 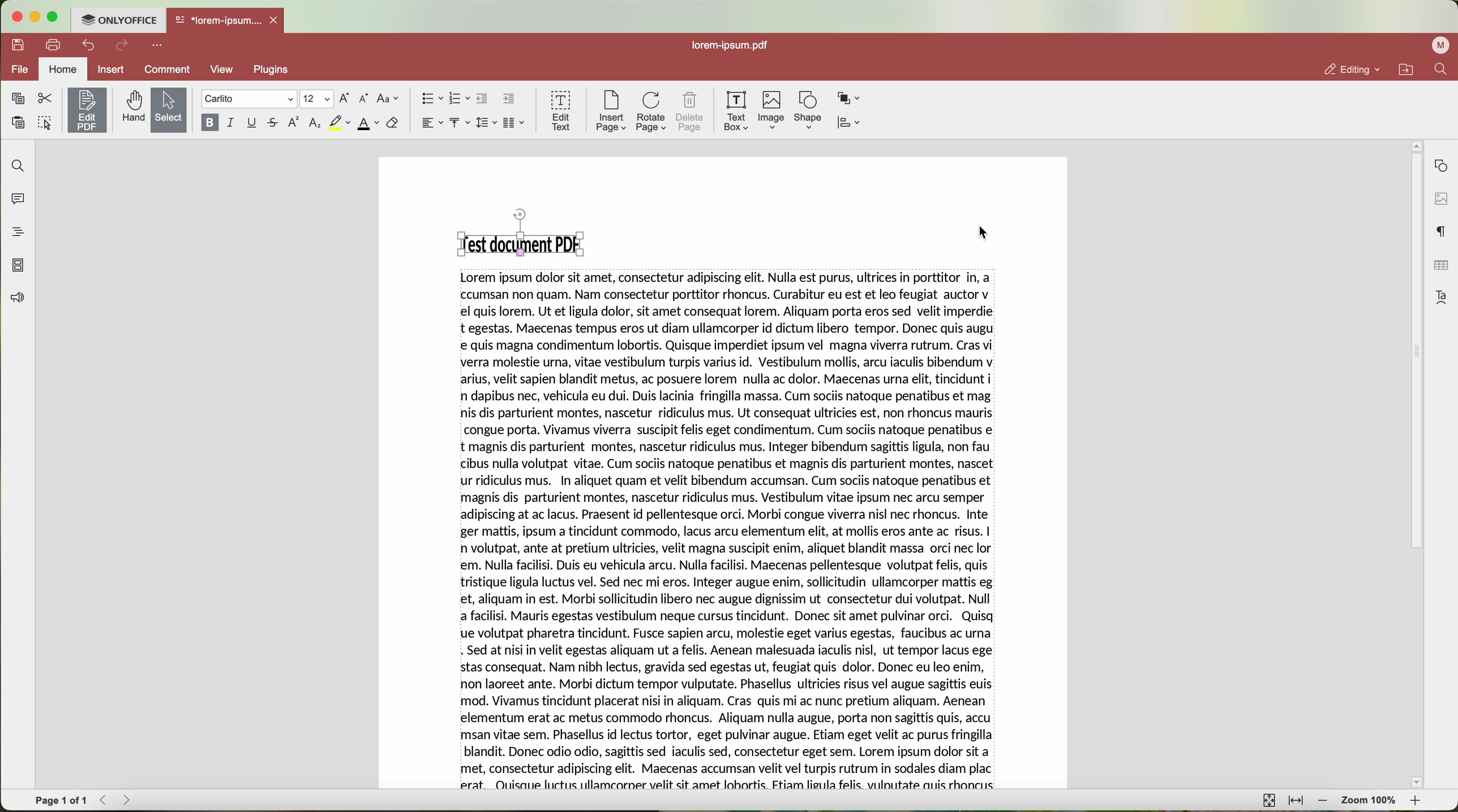 What do you see at coordinates (58, 16) in the screenshot?
I see `maximize` at bounding box center [58, 16].